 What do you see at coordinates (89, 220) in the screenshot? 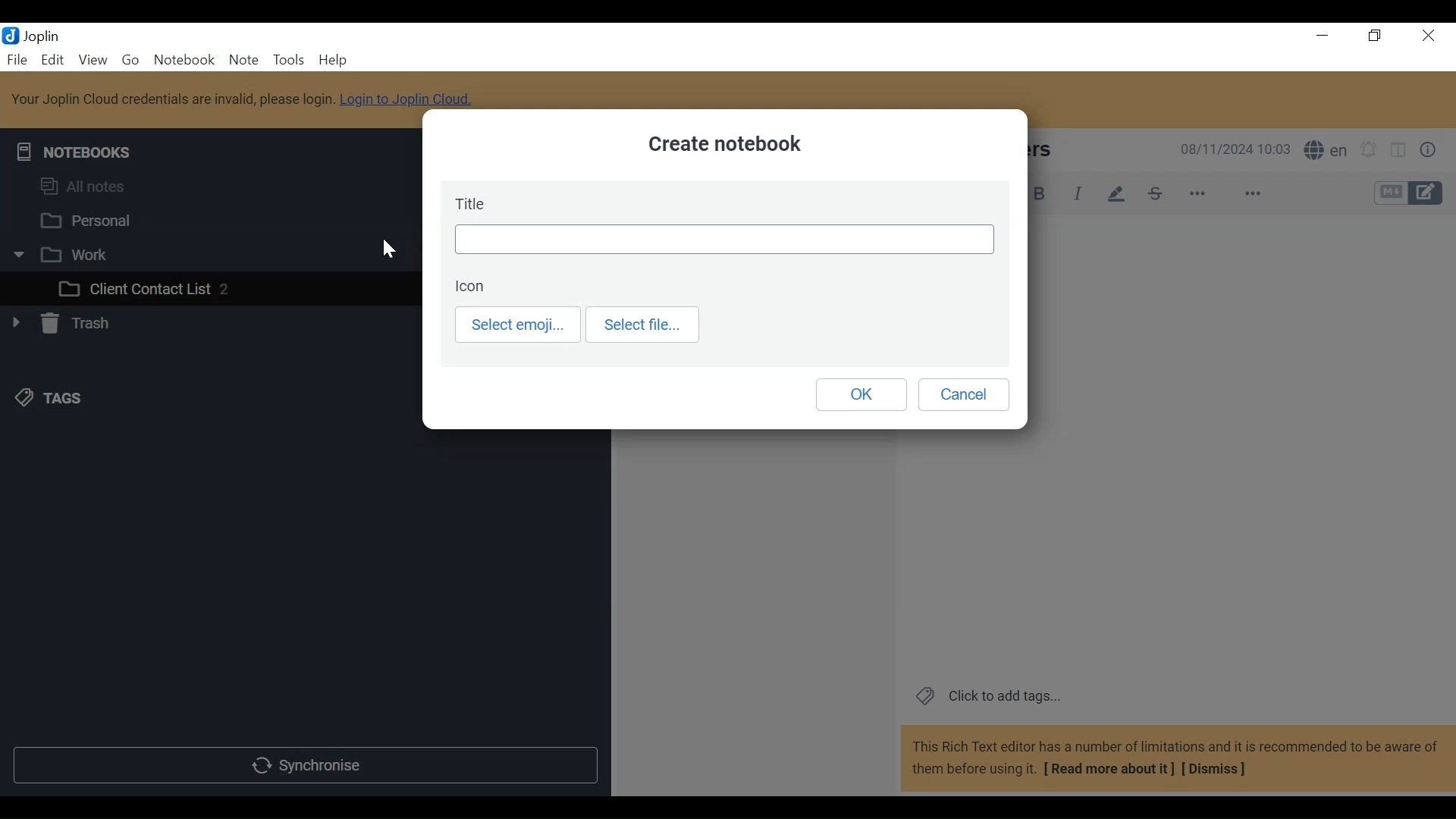
I see `Personal` at bounding box center [89, 220].